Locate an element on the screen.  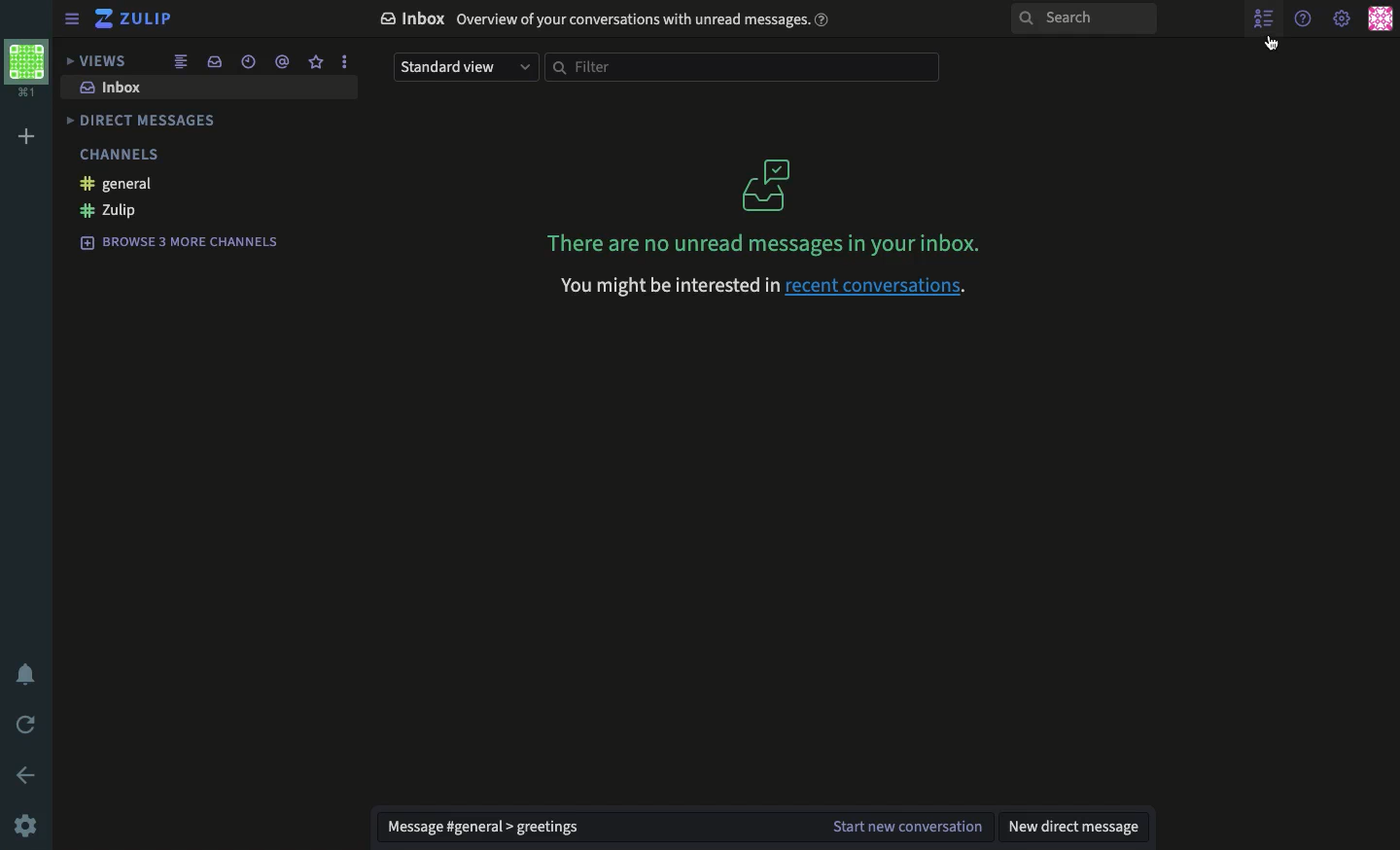
zulip is located at coordinates (103, 211).